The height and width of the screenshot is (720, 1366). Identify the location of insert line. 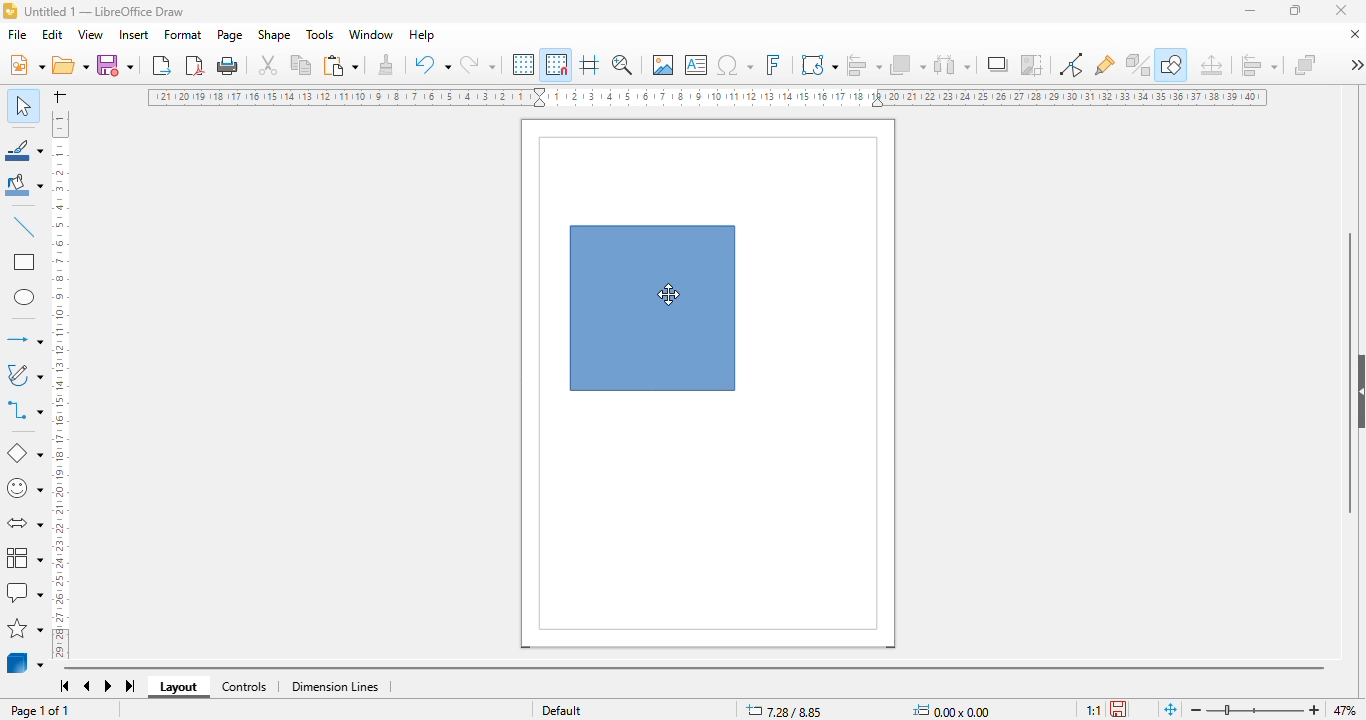
(24, 226).